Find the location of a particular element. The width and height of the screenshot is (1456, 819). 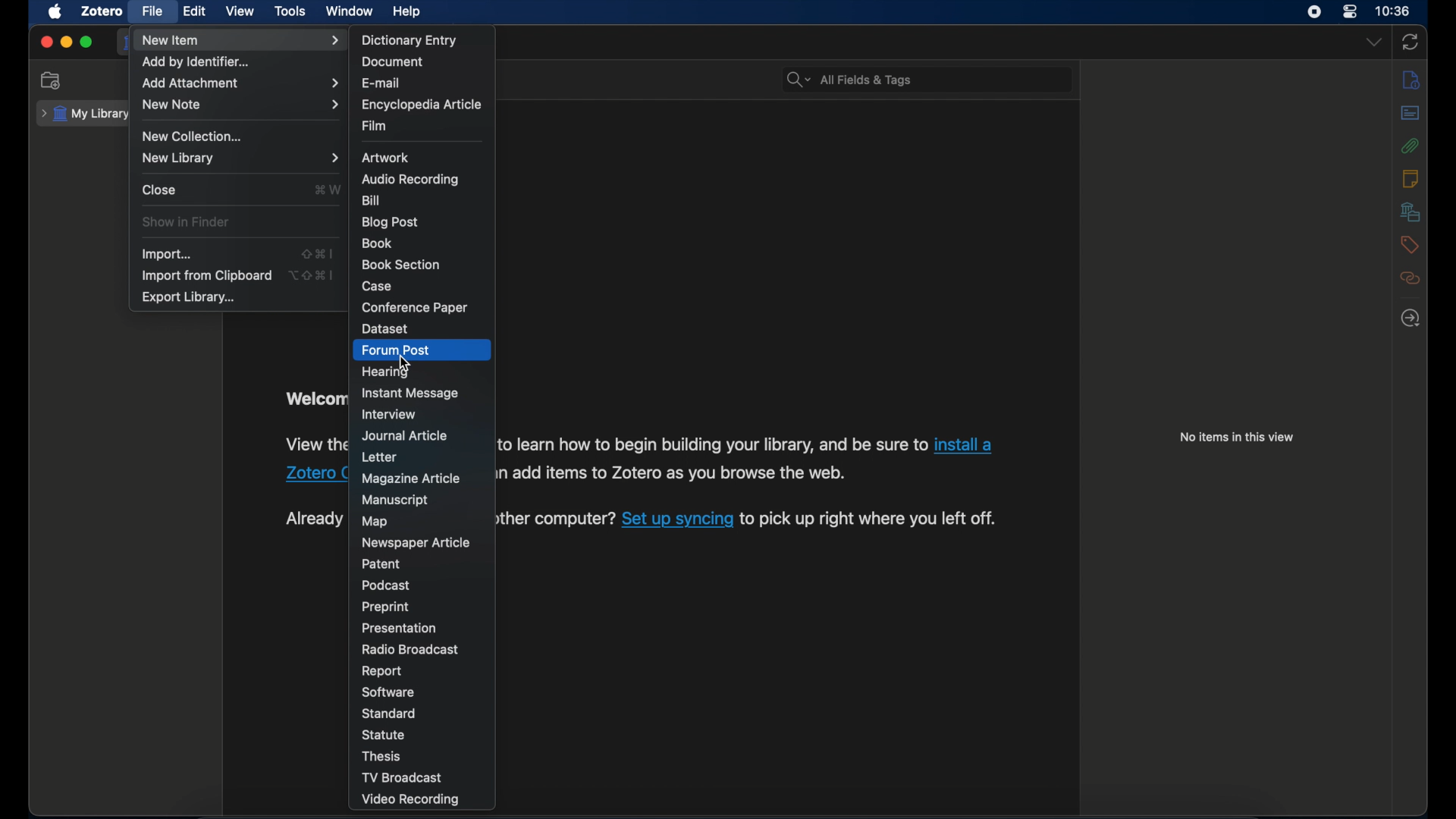

view is located at coordinates (241, 11).